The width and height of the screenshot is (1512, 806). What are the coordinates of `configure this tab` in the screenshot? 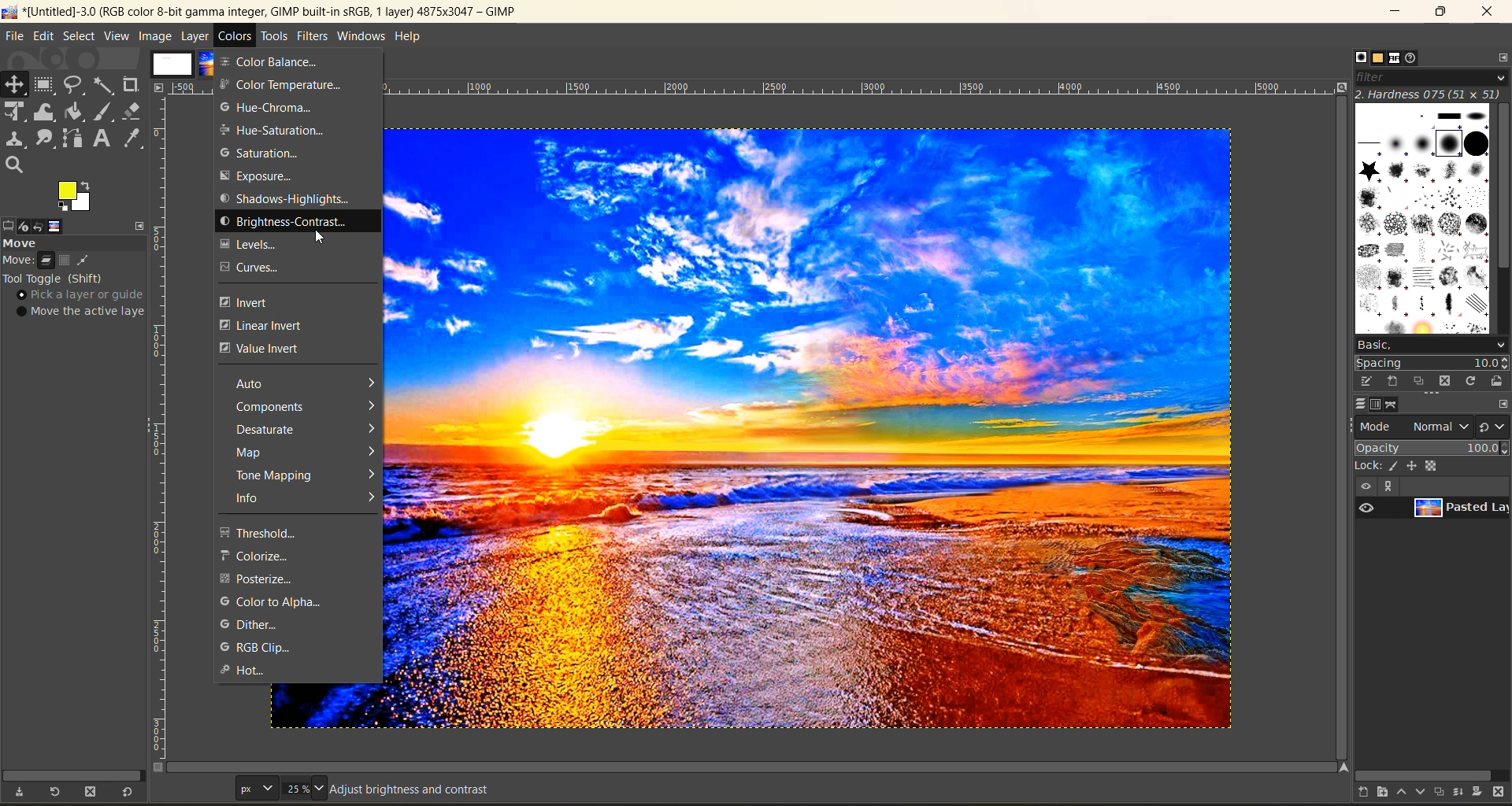 It's located at (1503, 405).